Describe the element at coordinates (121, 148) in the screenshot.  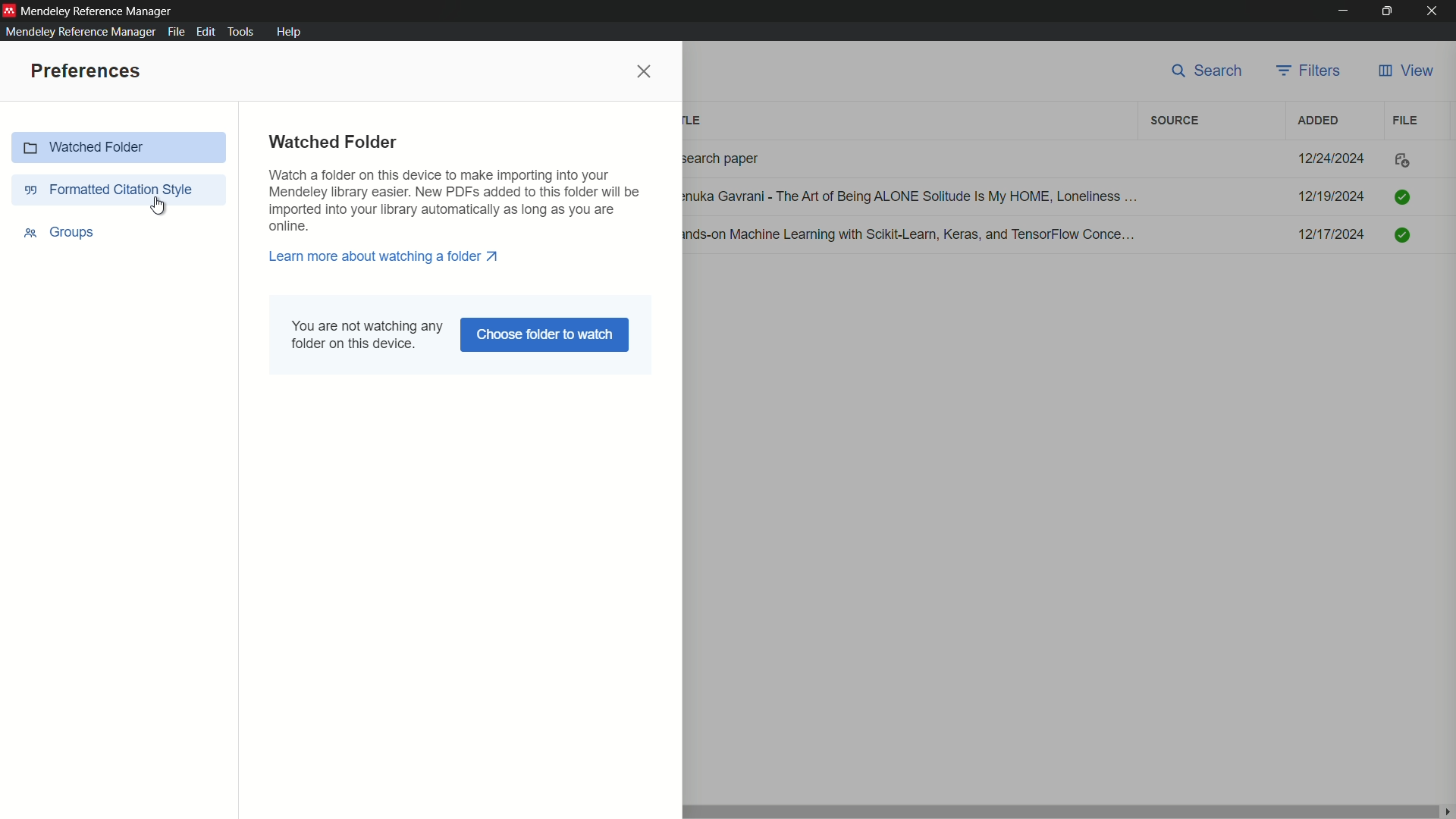
I see `watch folder` at that location.